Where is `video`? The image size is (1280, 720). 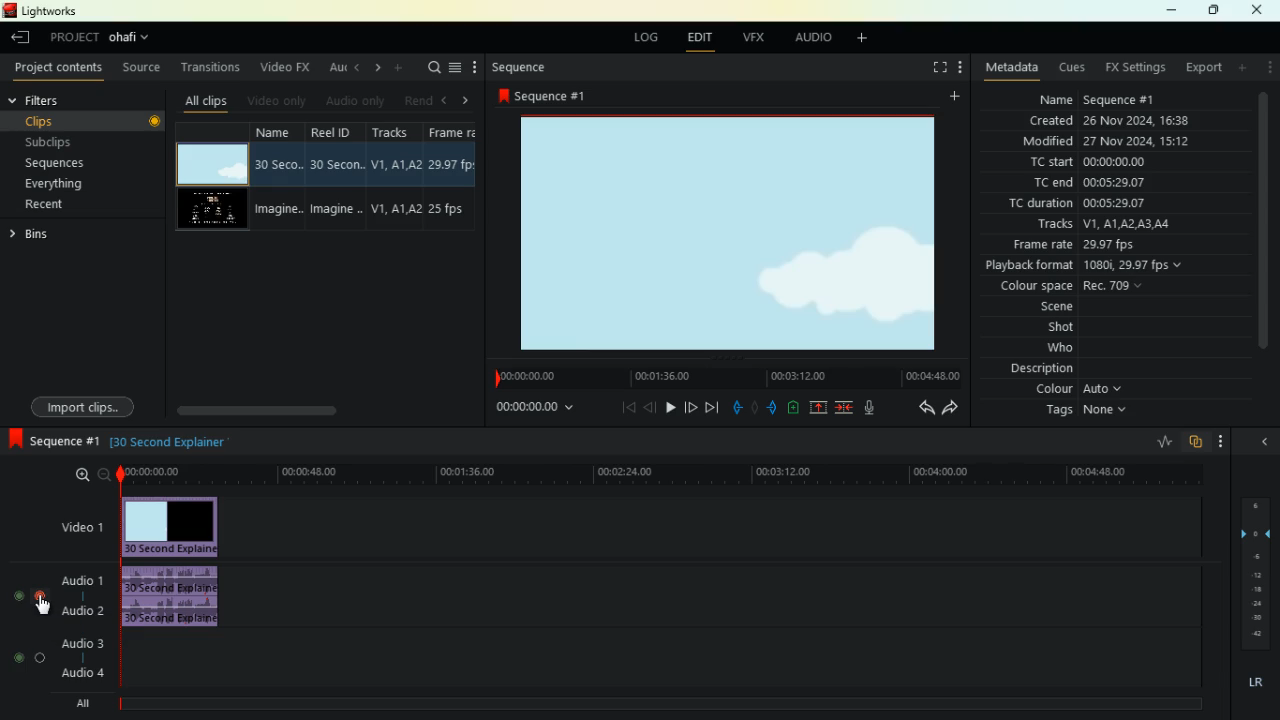
video is located at coordinates (212, 164).